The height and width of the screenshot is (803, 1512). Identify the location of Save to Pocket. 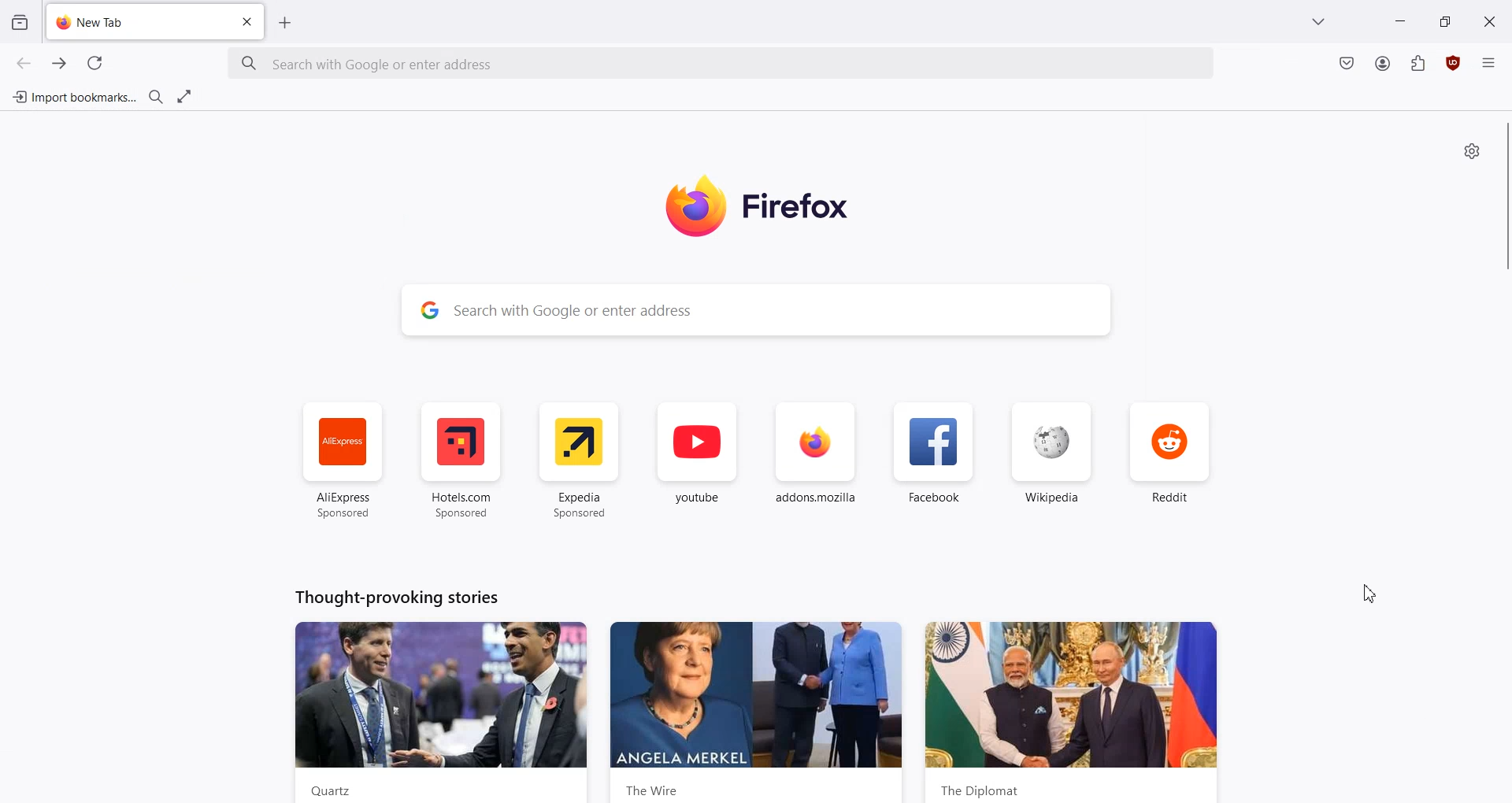
(1346, 63).